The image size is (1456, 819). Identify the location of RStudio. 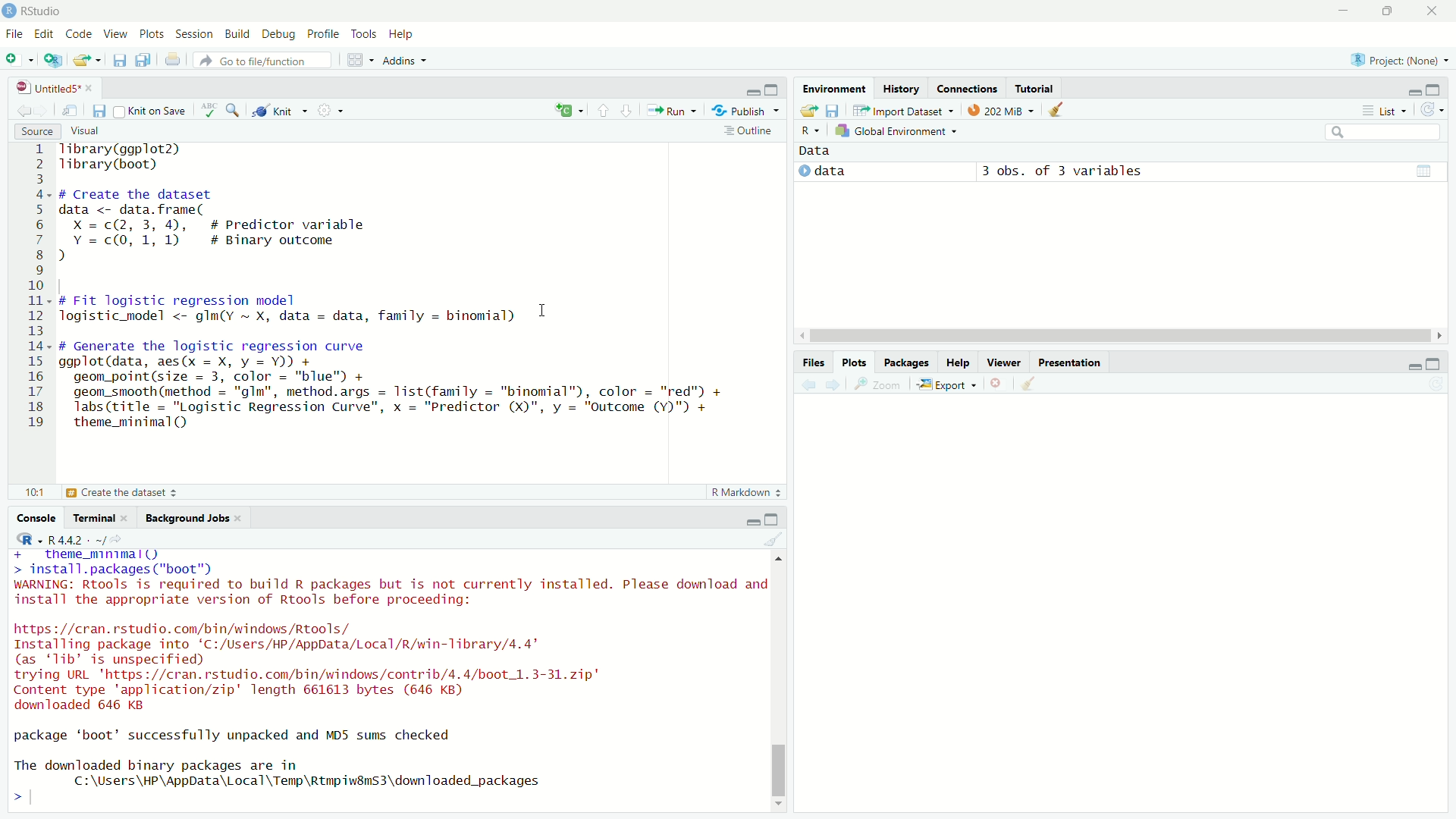
(32, 11).